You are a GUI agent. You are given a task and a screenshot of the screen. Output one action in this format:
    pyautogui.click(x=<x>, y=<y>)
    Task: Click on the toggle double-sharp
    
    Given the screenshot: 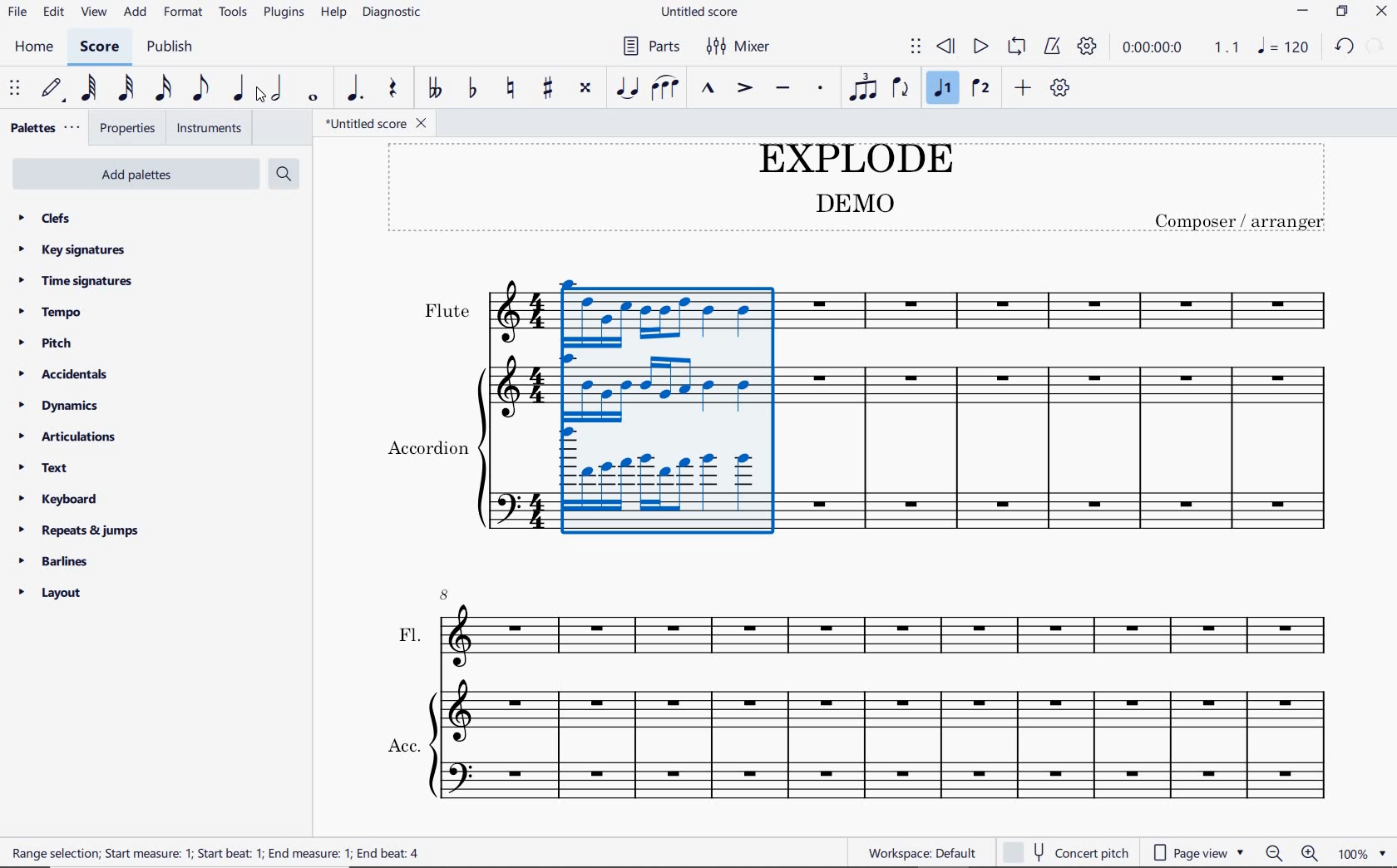 What is the action you would take?
    pyautogui.click(x=587, y=88)
    